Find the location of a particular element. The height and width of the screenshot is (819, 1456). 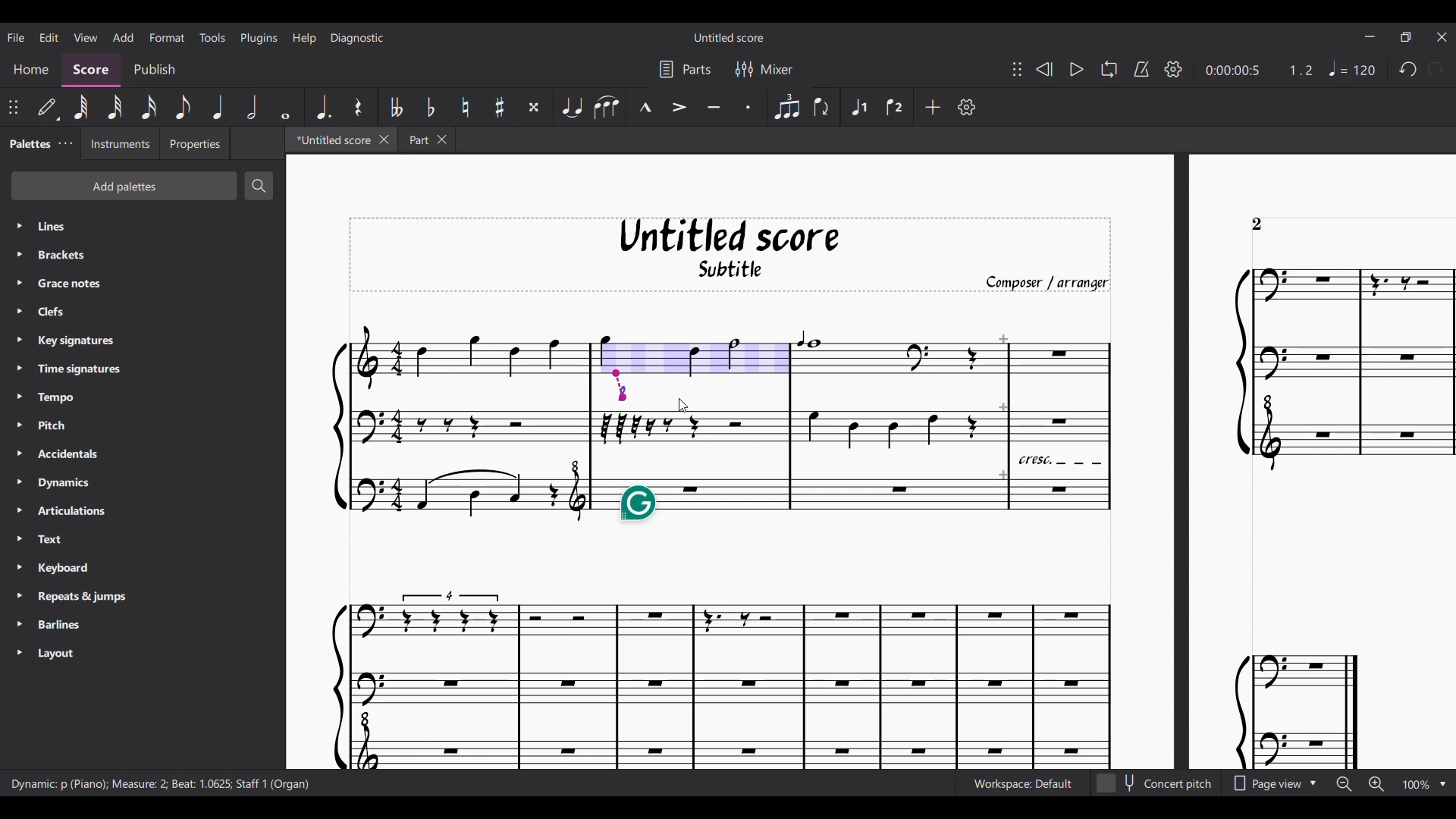

Diagnostic menu is located at coordinates (357, 38).